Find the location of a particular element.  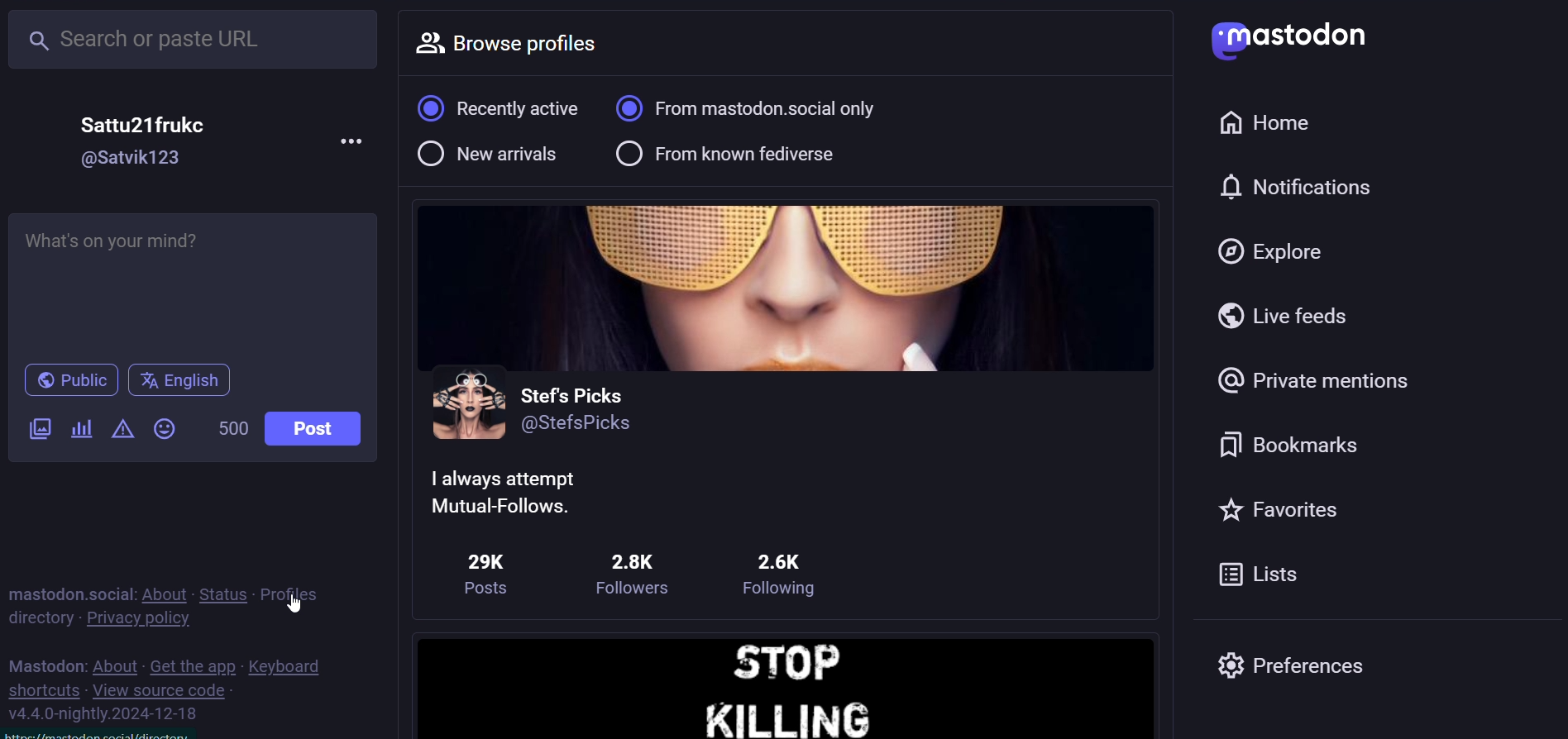

bookmark is located at coordinates (1298, 443).